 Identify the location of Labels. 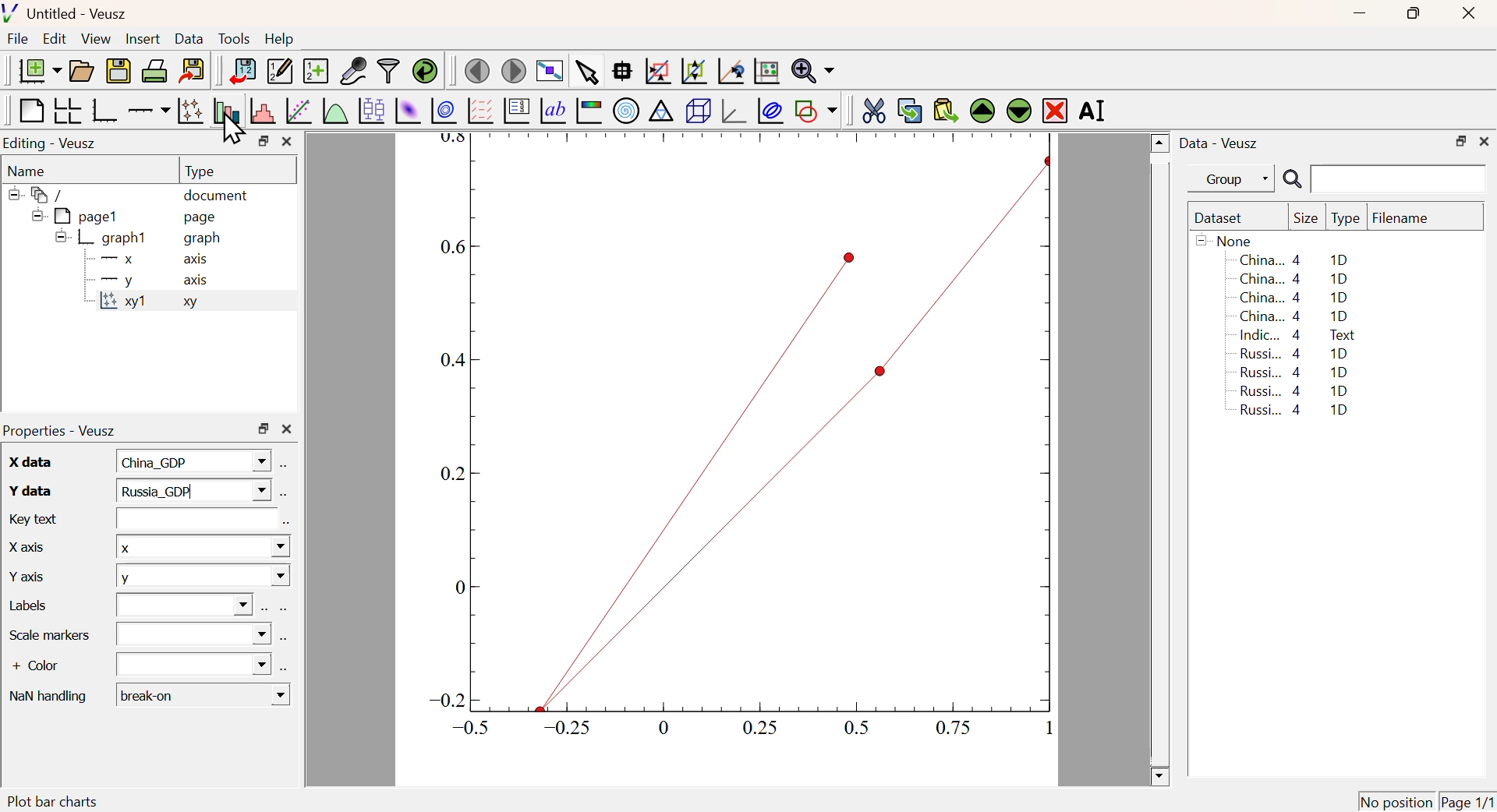
(39, 607).